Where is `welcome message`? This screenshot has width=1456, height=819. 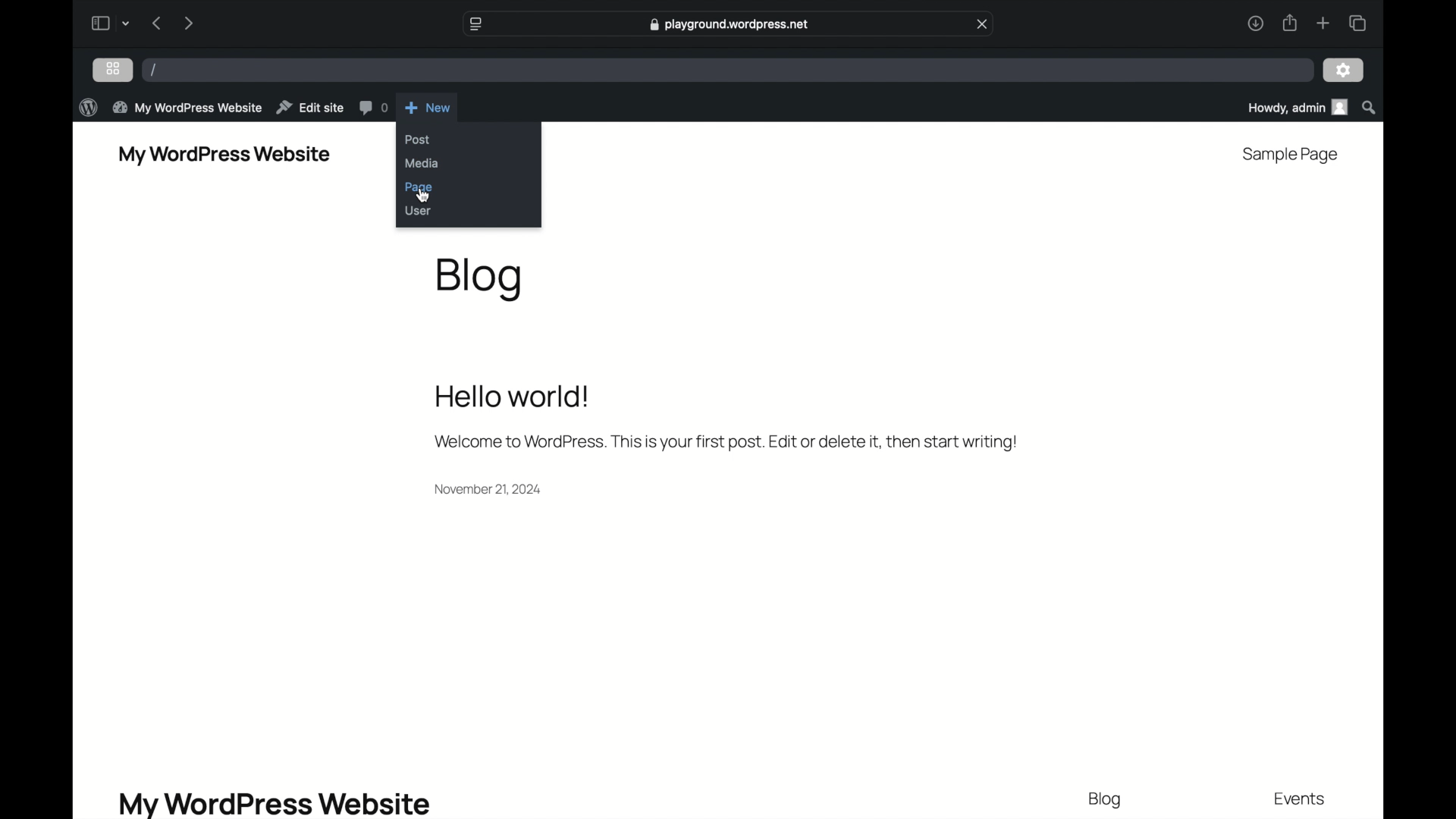
welcome message is located at coordinates (726, 441).